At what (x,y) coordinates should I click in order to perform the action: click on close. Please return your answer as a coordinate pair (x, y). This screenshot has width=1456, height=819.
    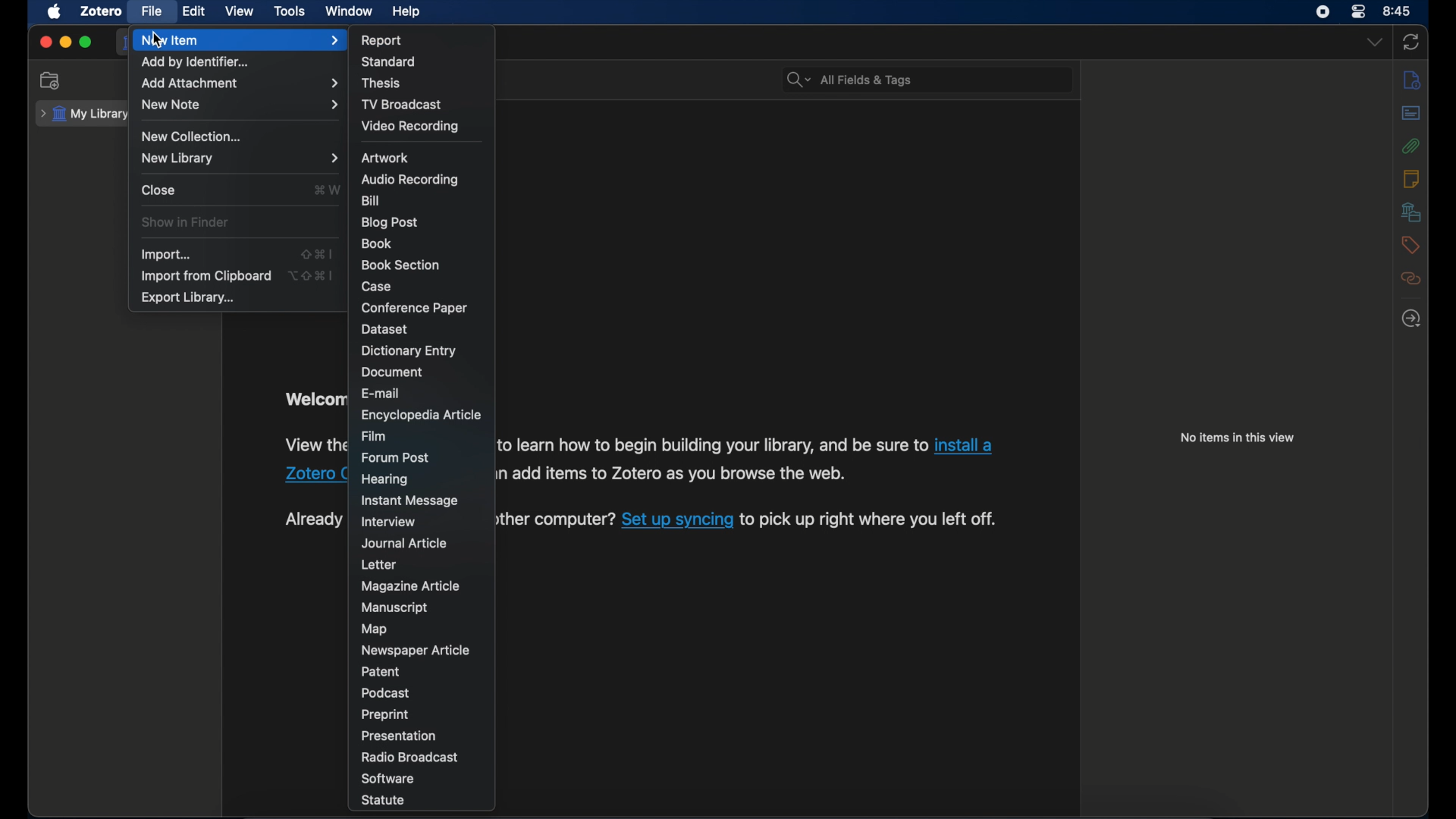
    Looking at the image, I should click on (45, 42).